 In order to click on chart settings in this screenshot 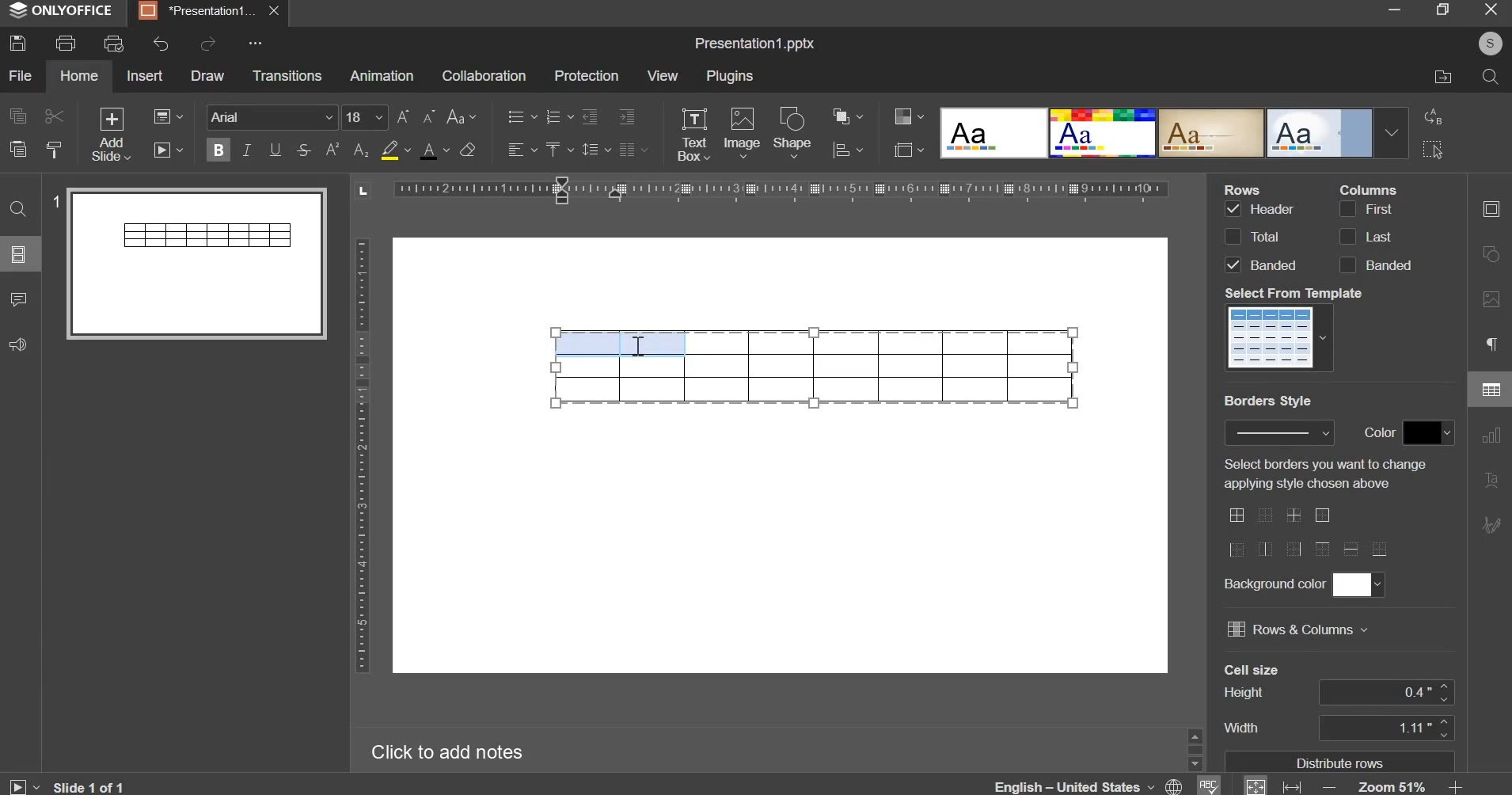, I will do `click(848, 150)`.